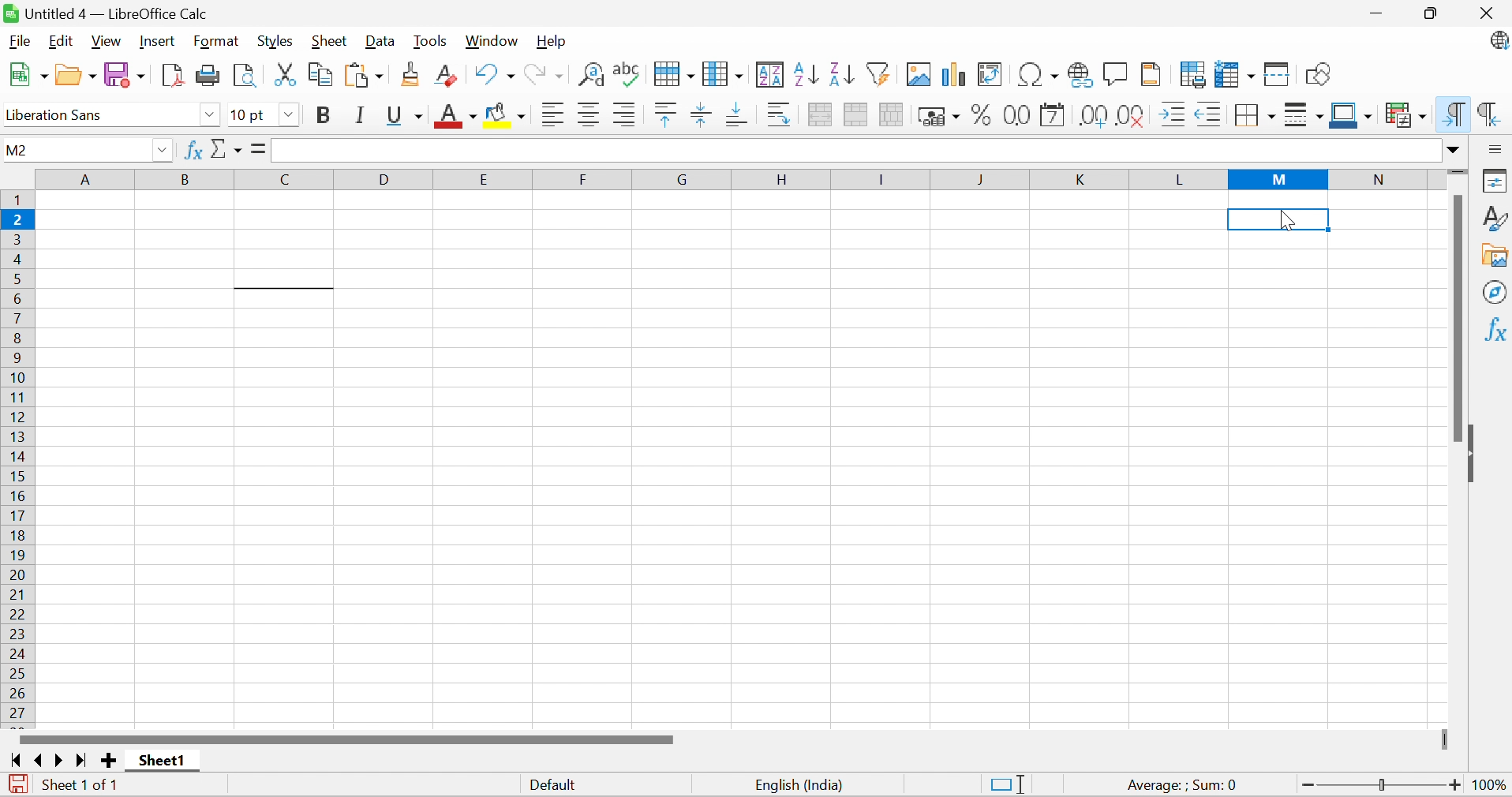 Image resolution: width=1512 pixels, height=797 pixels. I want to click on Print, so click(209, 75).